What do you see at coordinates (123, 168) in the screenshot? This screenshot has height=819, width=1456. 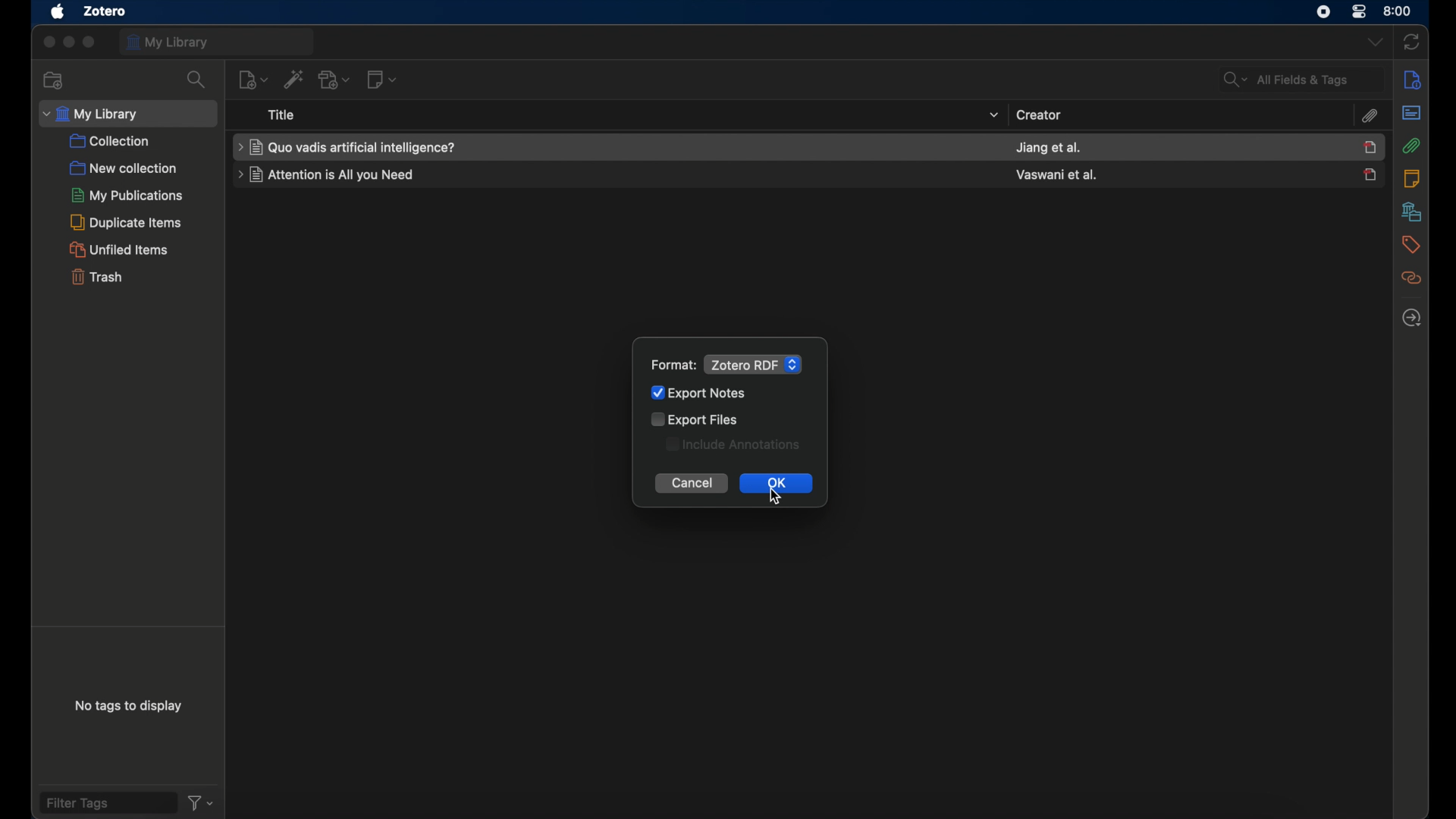 I see `new collection` at bounding box center [123, 168].